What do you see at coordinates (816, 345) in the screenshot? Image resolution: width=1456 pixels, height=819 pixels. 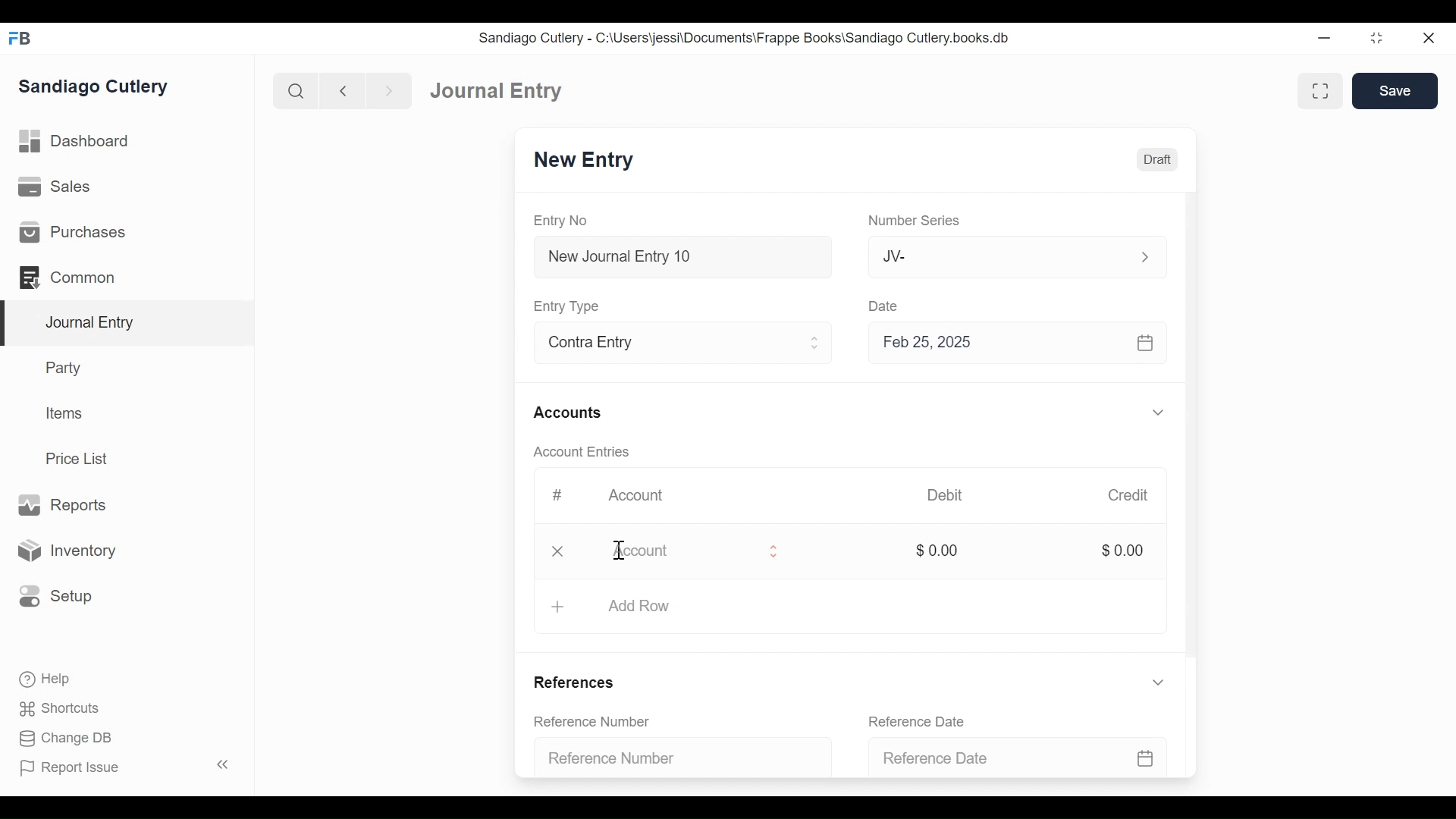 I see `Expand` at bounding box center [816, 345].